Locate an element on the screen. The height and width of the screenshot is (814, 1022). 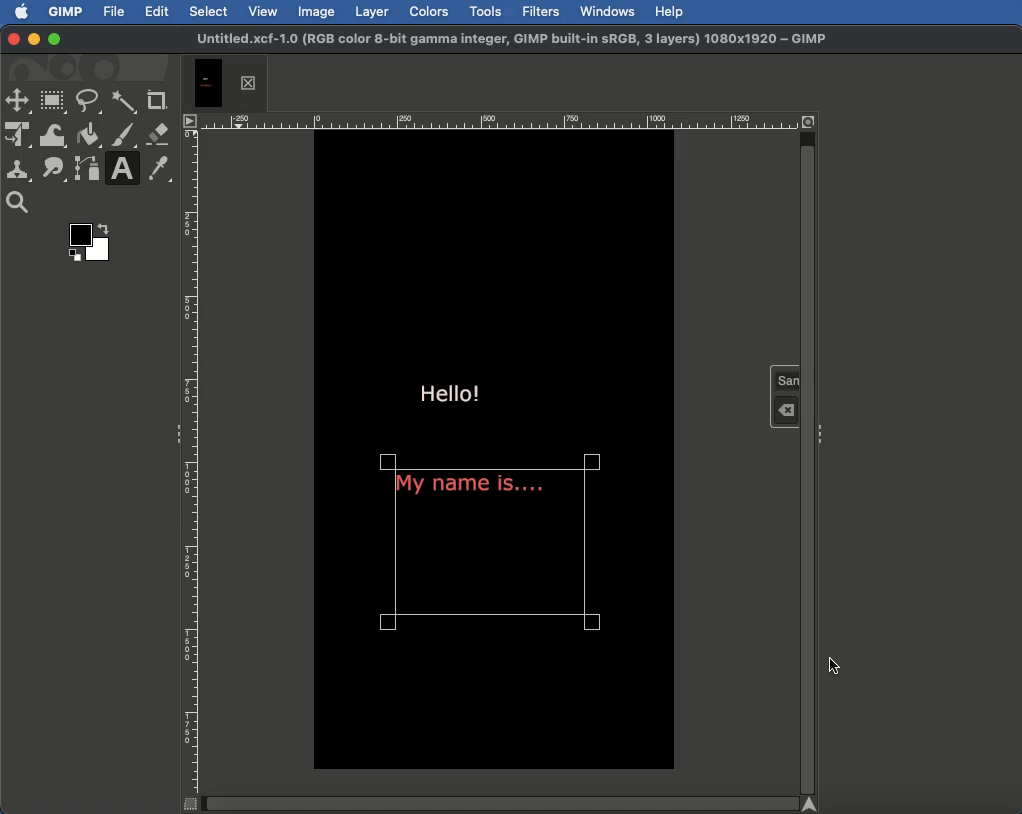
Maximize is located at coordinates (56, 41).